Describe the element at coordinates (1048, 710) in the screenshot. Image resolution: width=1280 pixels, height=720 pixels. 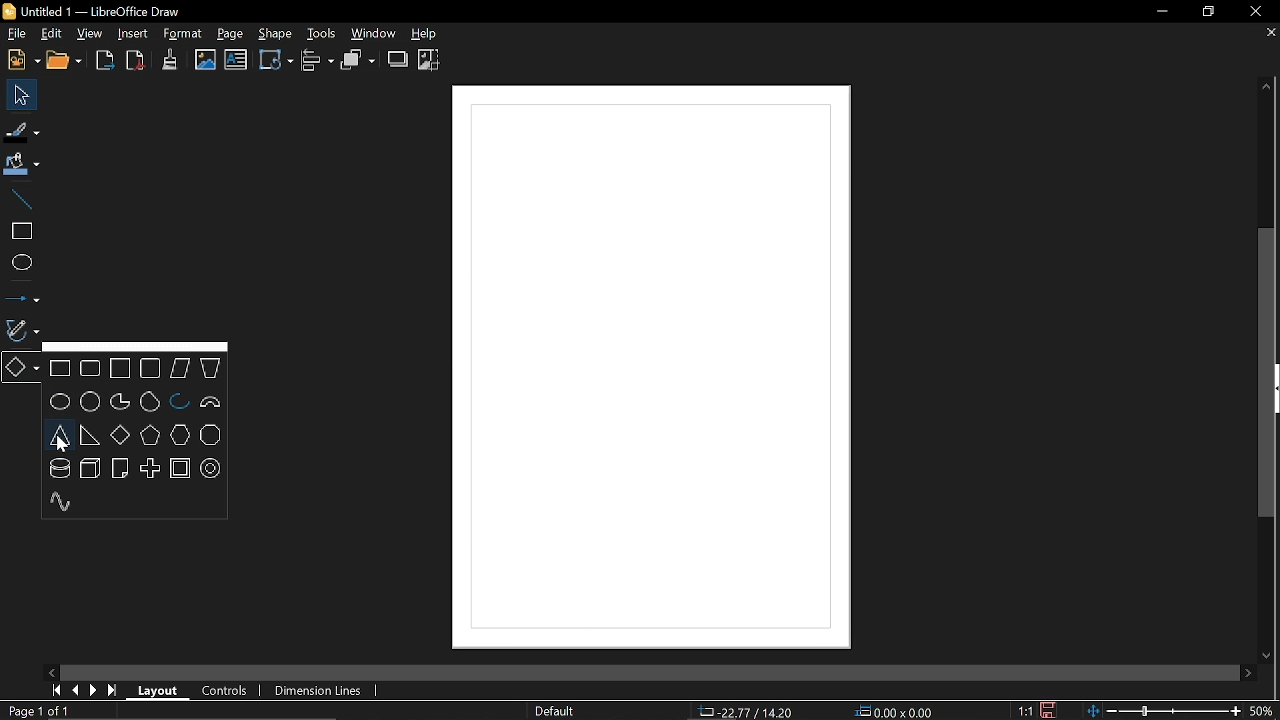
I see `Save` at that location.